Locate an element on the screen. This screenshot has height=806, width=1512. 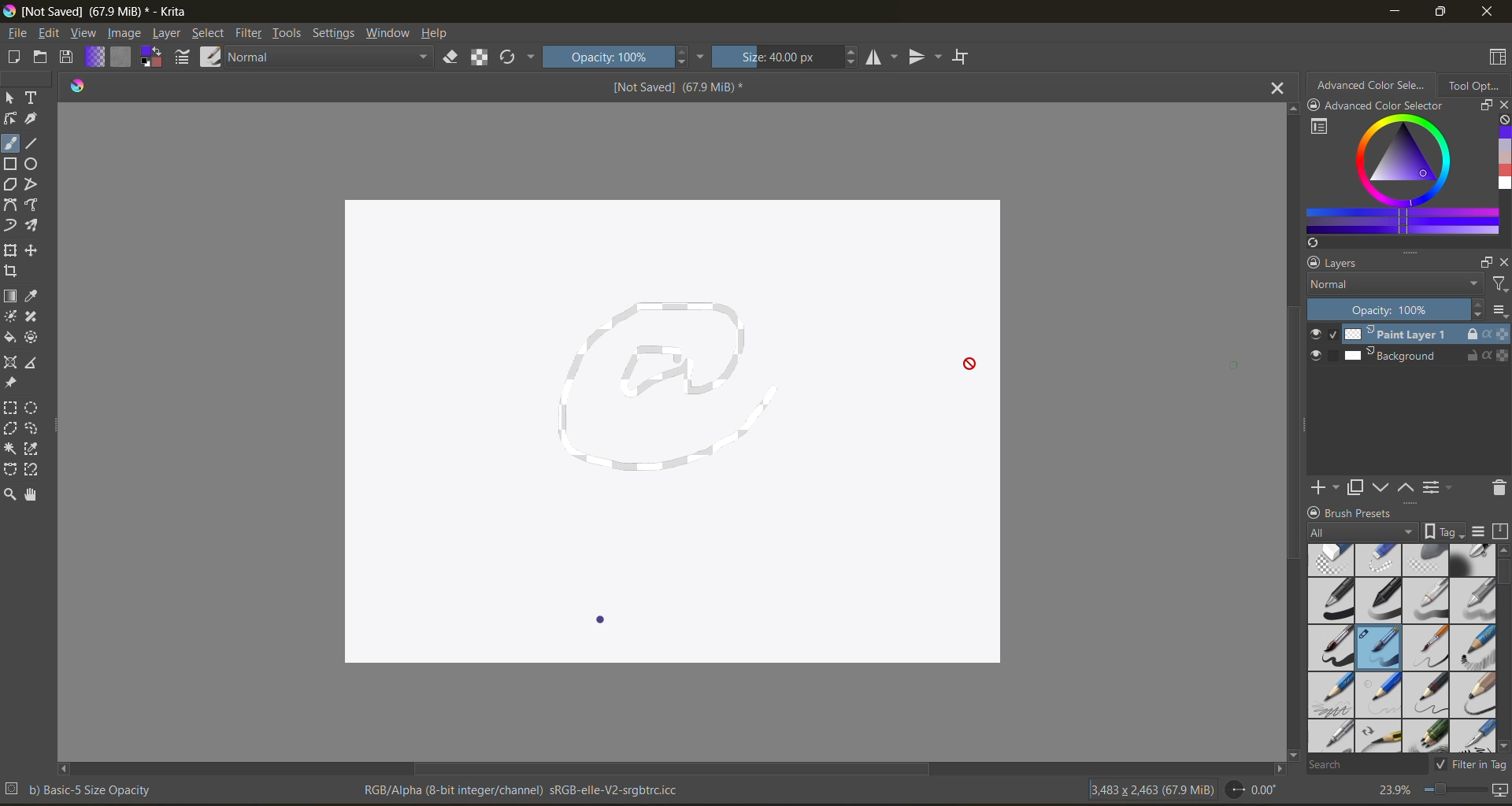
filters is located at coordinates (1501, 284).